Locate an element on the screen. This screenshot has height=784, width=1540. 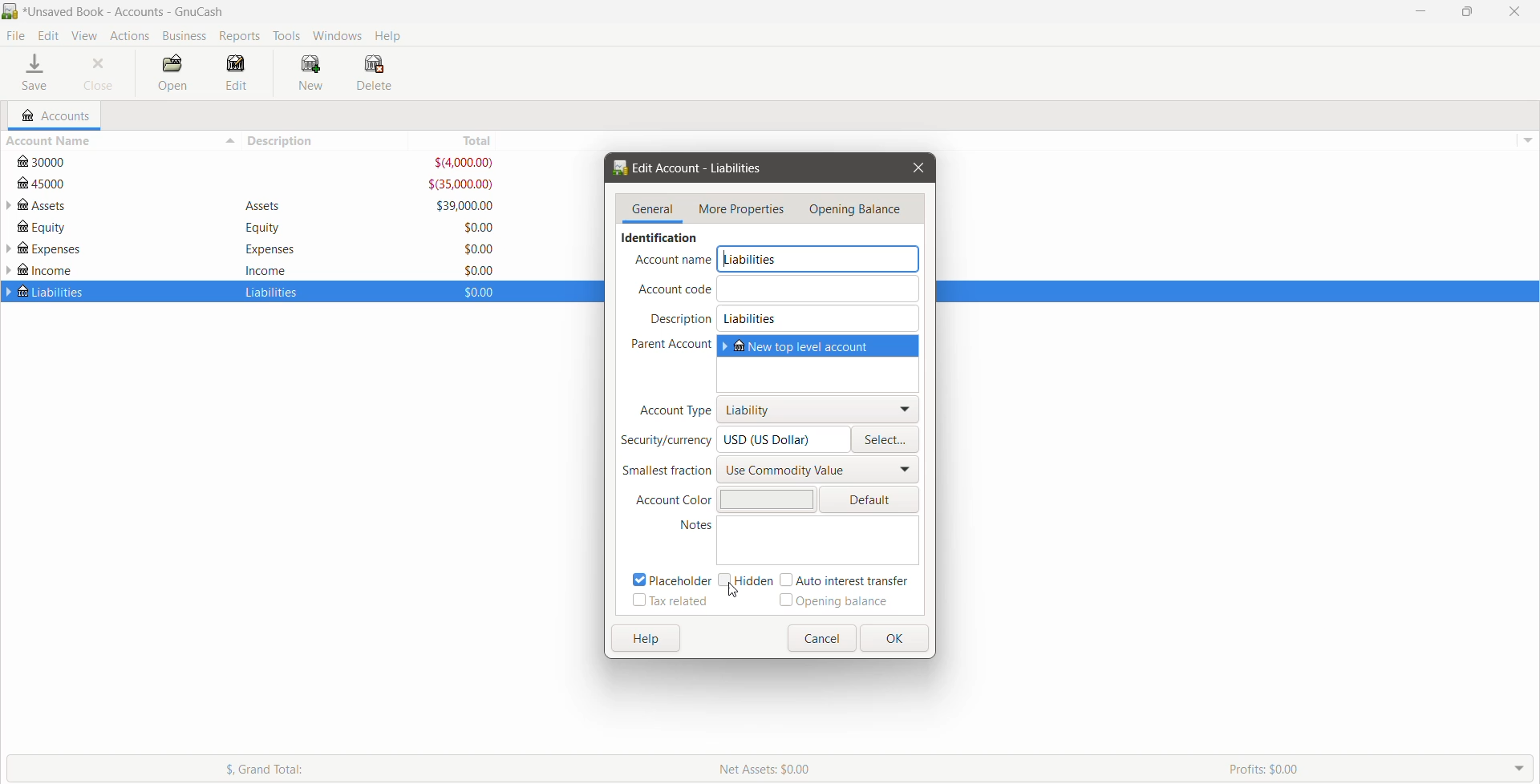
details of the account "Expenses" is located at coordinates (265, 249).